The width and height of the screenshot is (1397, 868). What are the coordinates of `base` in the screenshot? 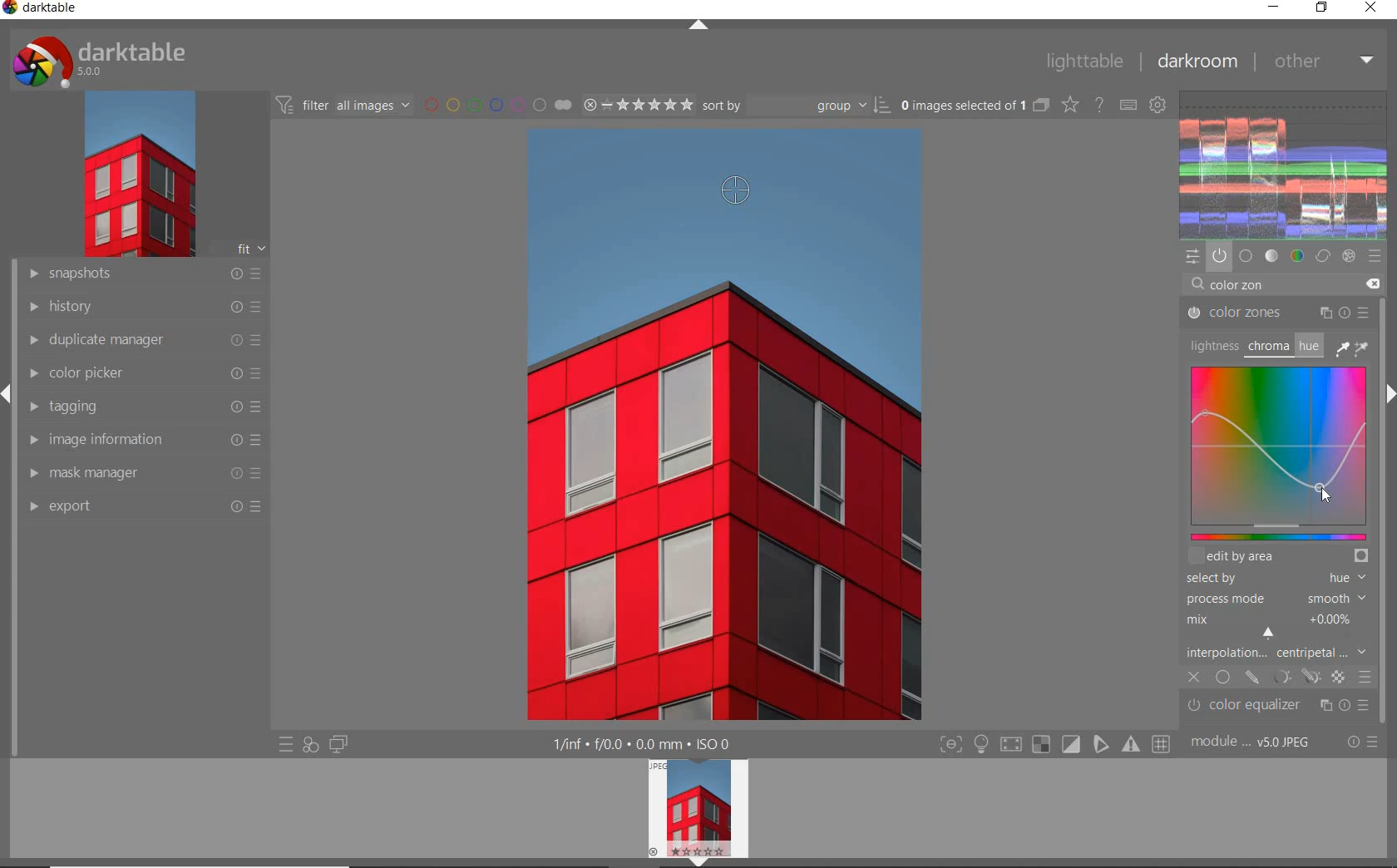 It's located at (1246, 254).